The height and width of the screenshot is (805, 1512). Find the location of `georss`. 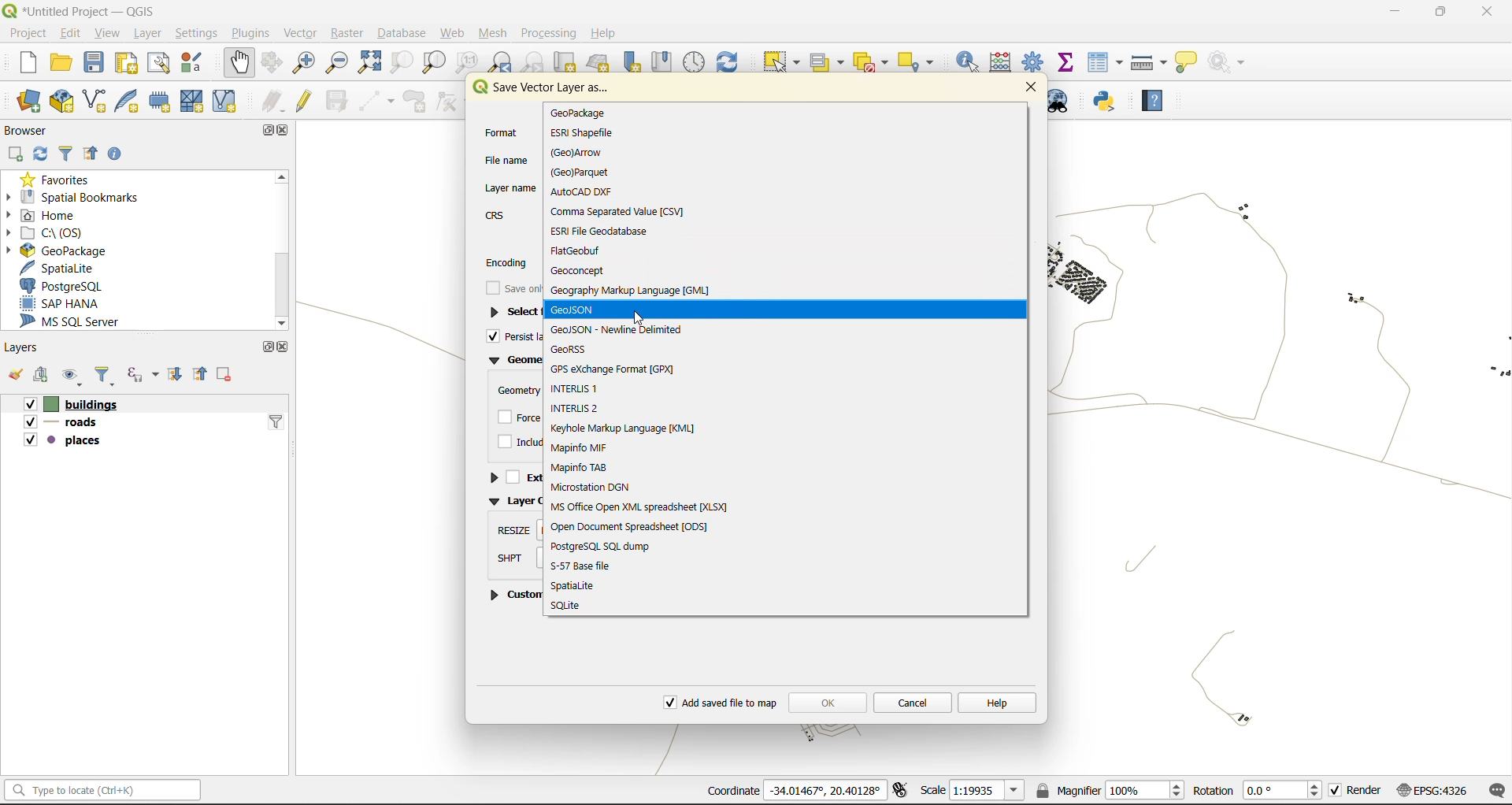

georss is located at coordinates (578, 351).